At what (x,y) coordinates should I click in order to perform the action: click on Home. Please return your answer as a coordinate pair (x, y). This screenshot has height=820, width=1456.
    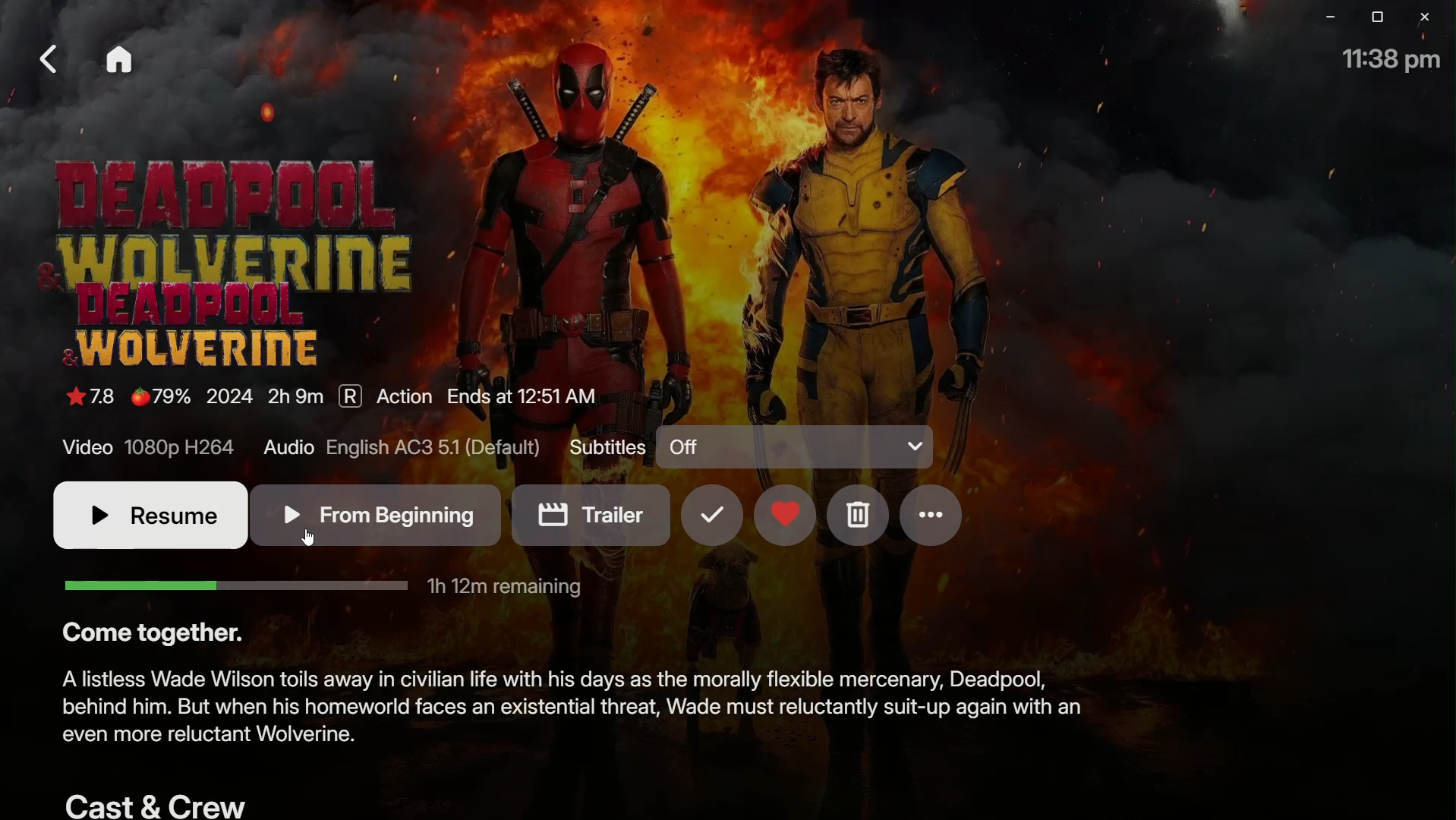
    Looking at the image, I should click on (124, 63).